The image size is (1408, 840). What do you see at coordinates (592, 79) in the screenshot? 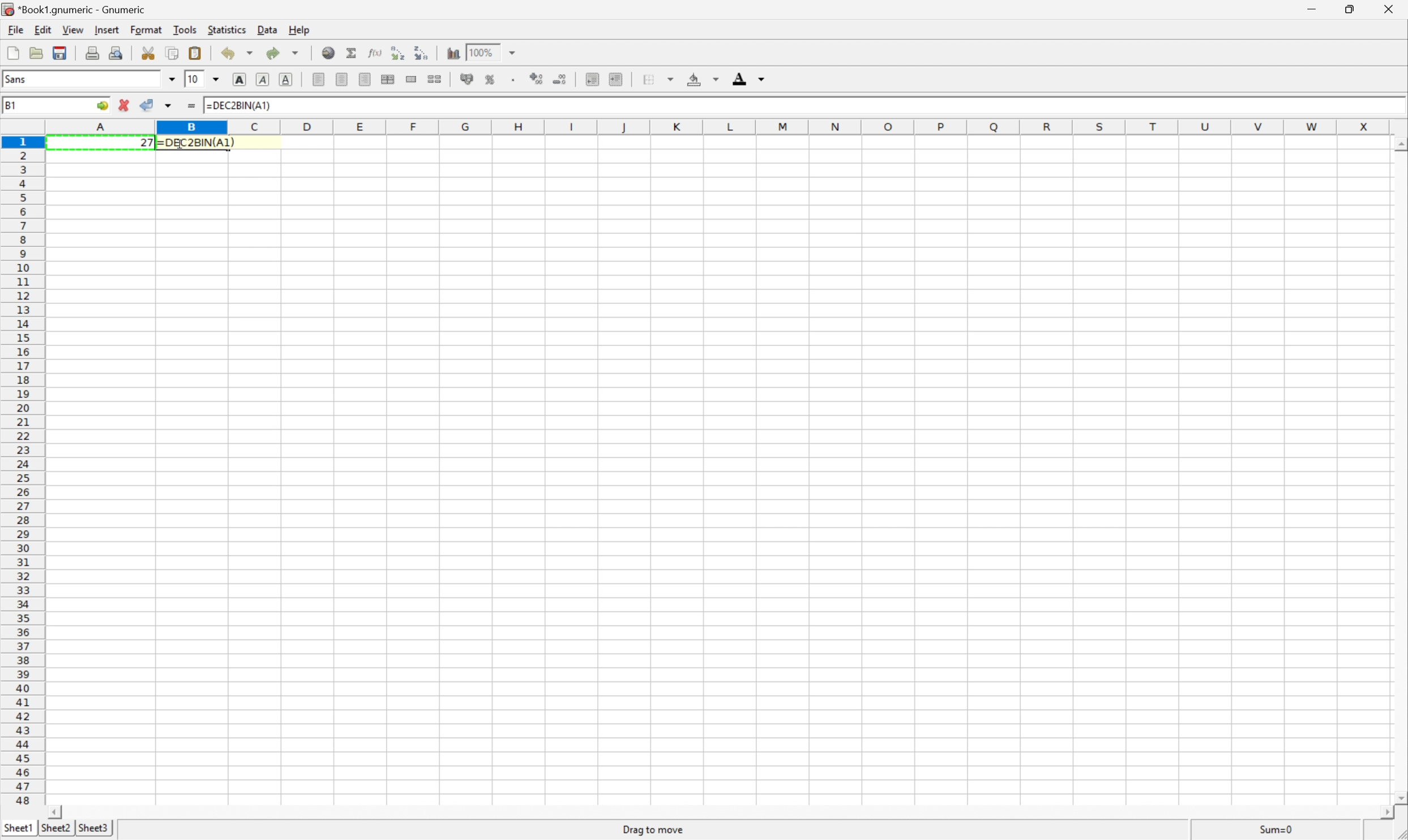
I see `Decrease indent, and align the contents to the left` at bounding box center [592, 79].